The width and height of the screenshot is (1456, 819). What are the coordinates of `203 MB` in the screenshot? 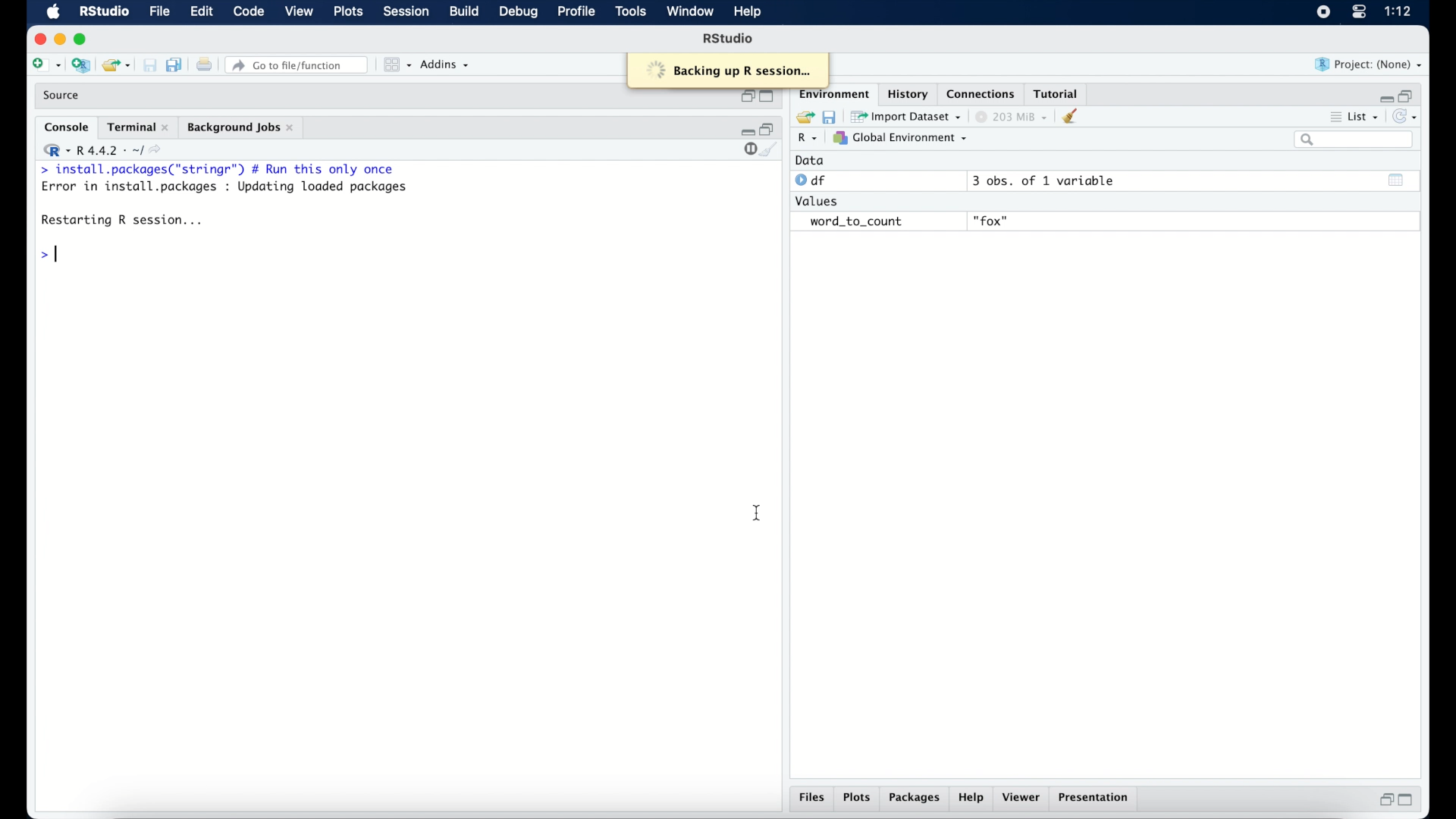 It's located at (1013, 117).